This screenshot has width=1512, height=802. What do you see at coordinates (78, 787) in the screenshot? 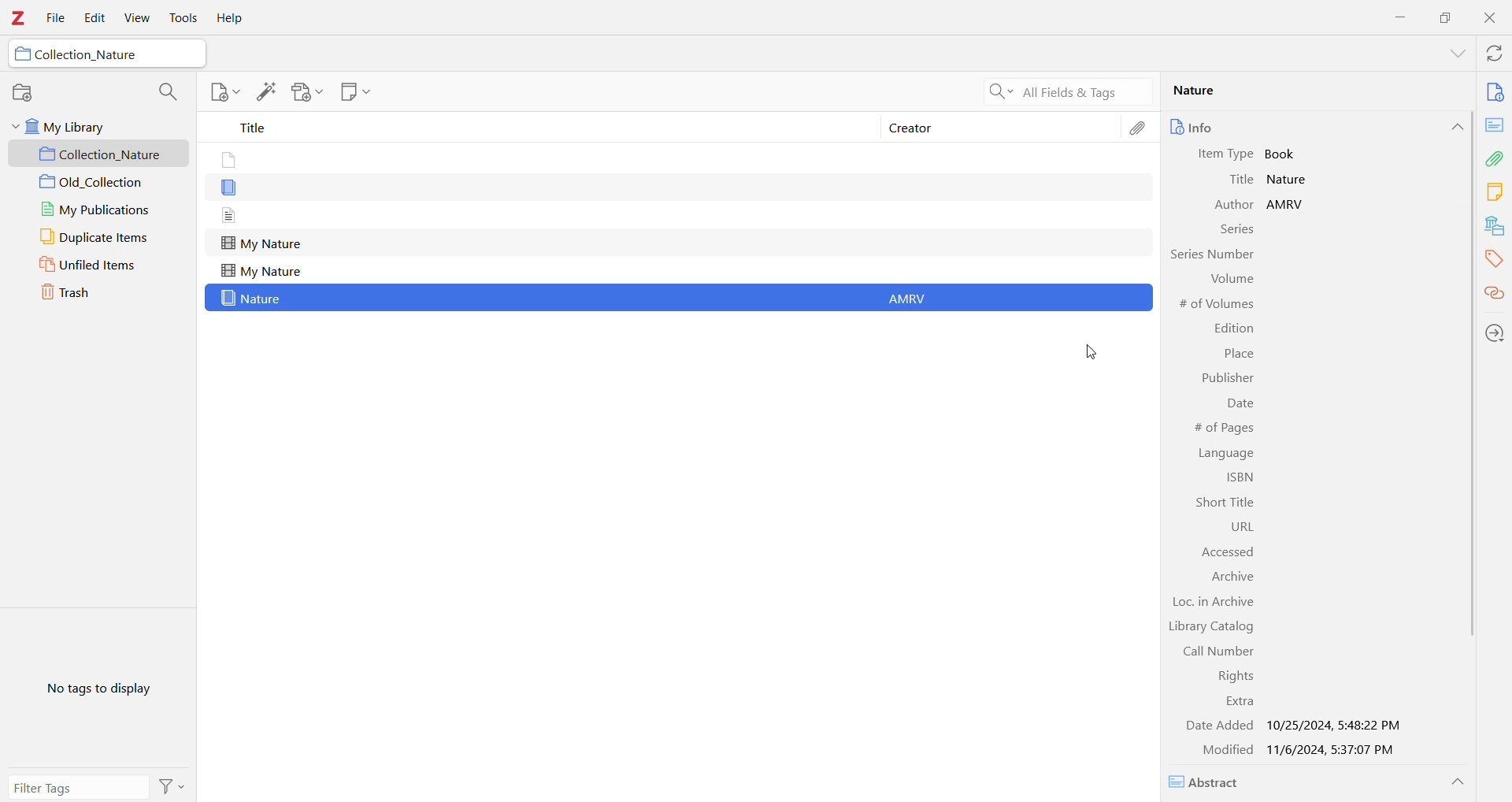
I see `Filter Tags` at bounding box center [78, 787].